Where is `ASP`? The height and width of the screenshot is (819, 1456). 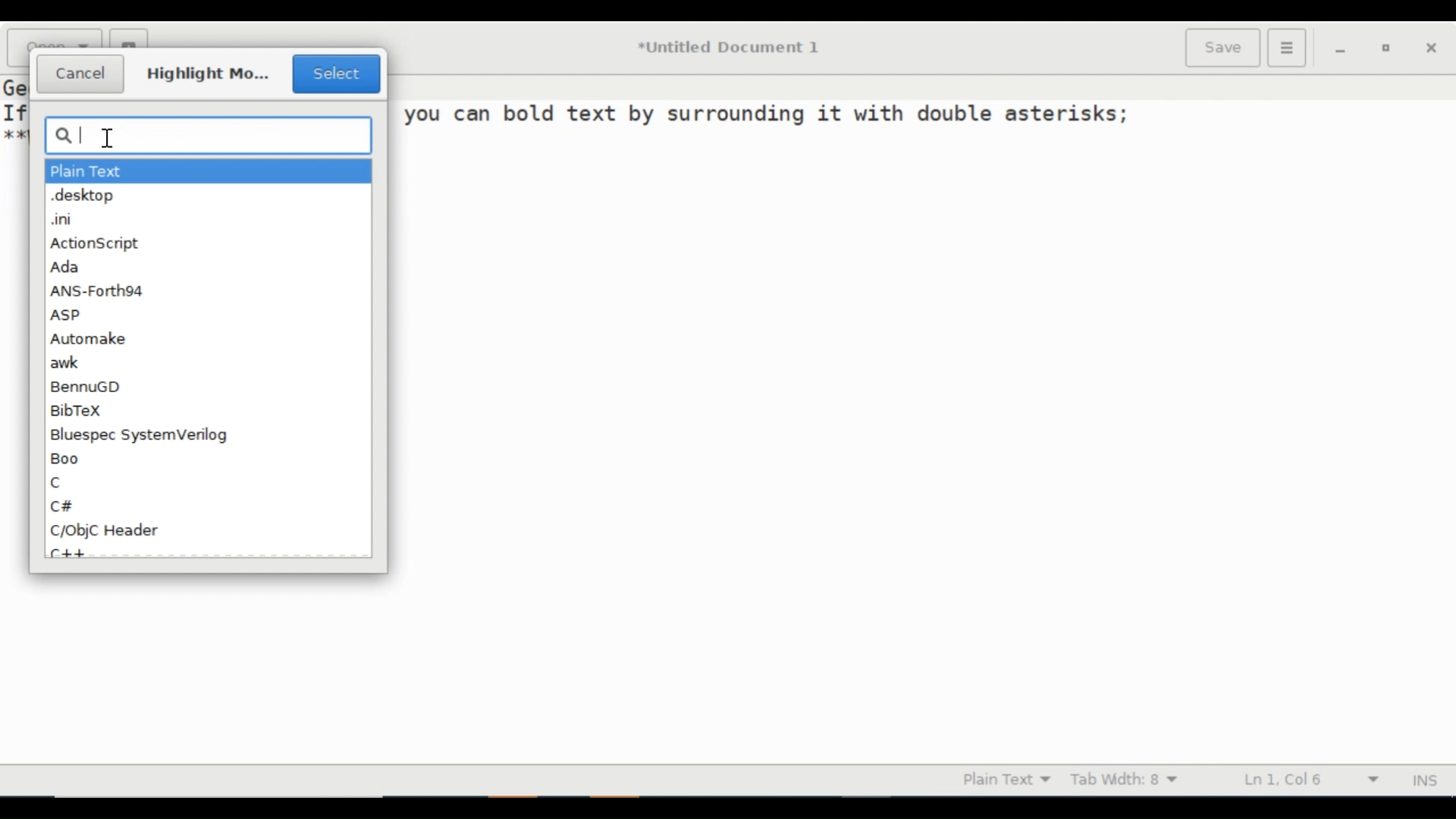 ASP is located at coordinates (65, 315).